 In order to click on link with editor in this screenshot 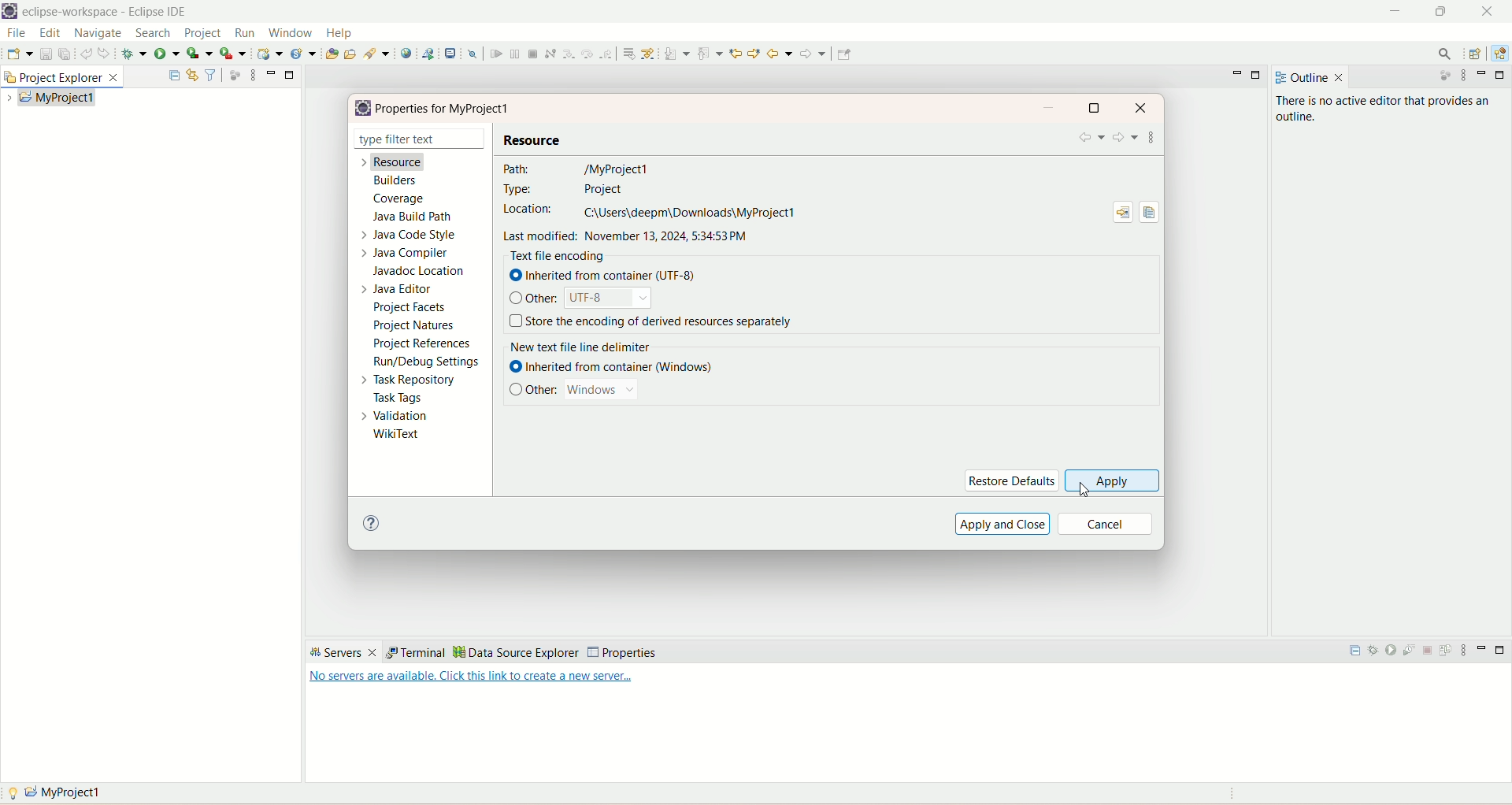, I will do `click(192, 73)`.